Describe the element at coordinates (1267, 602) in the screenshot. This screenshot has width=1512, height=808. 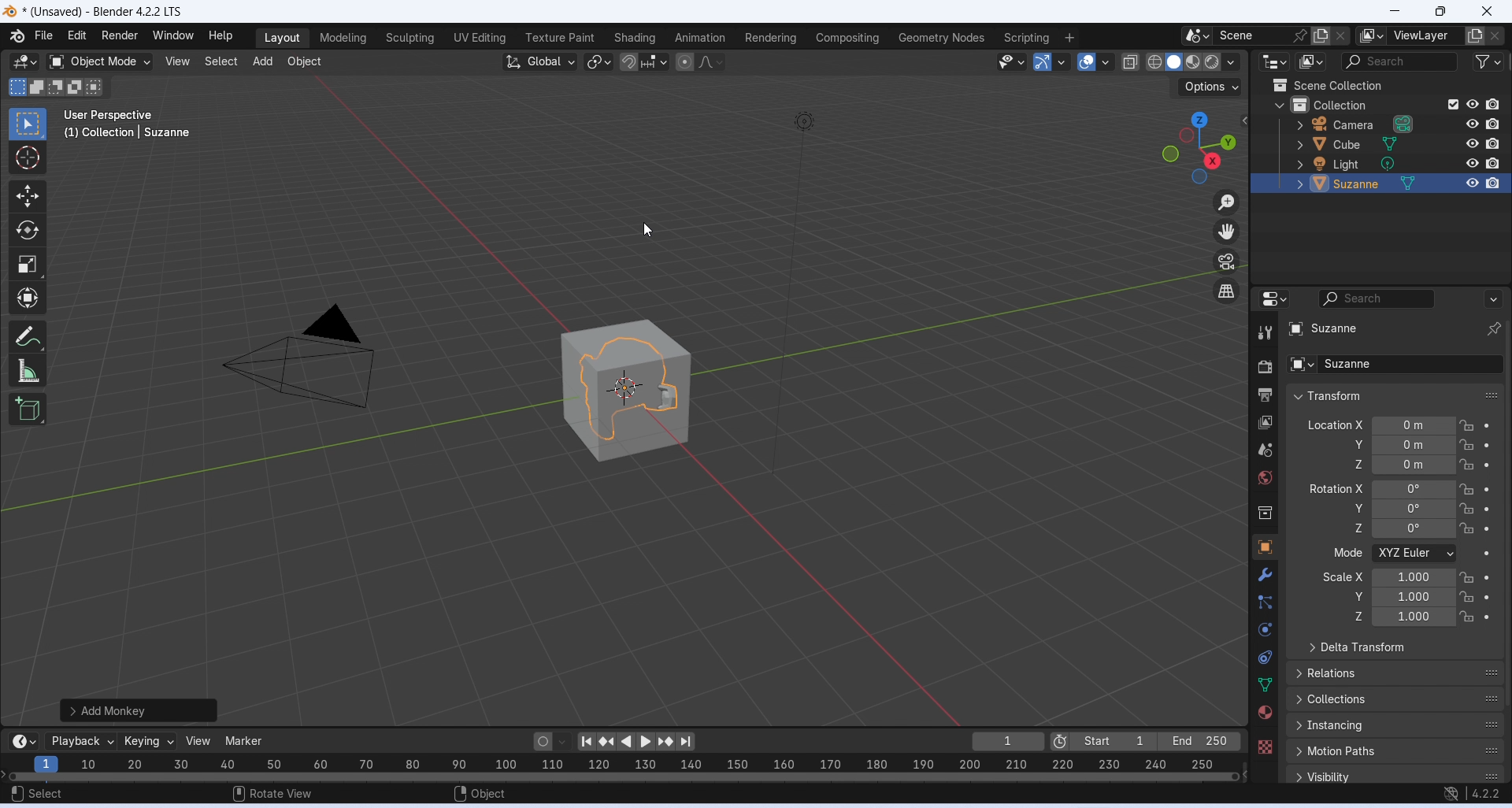
I see `particles` at that location.